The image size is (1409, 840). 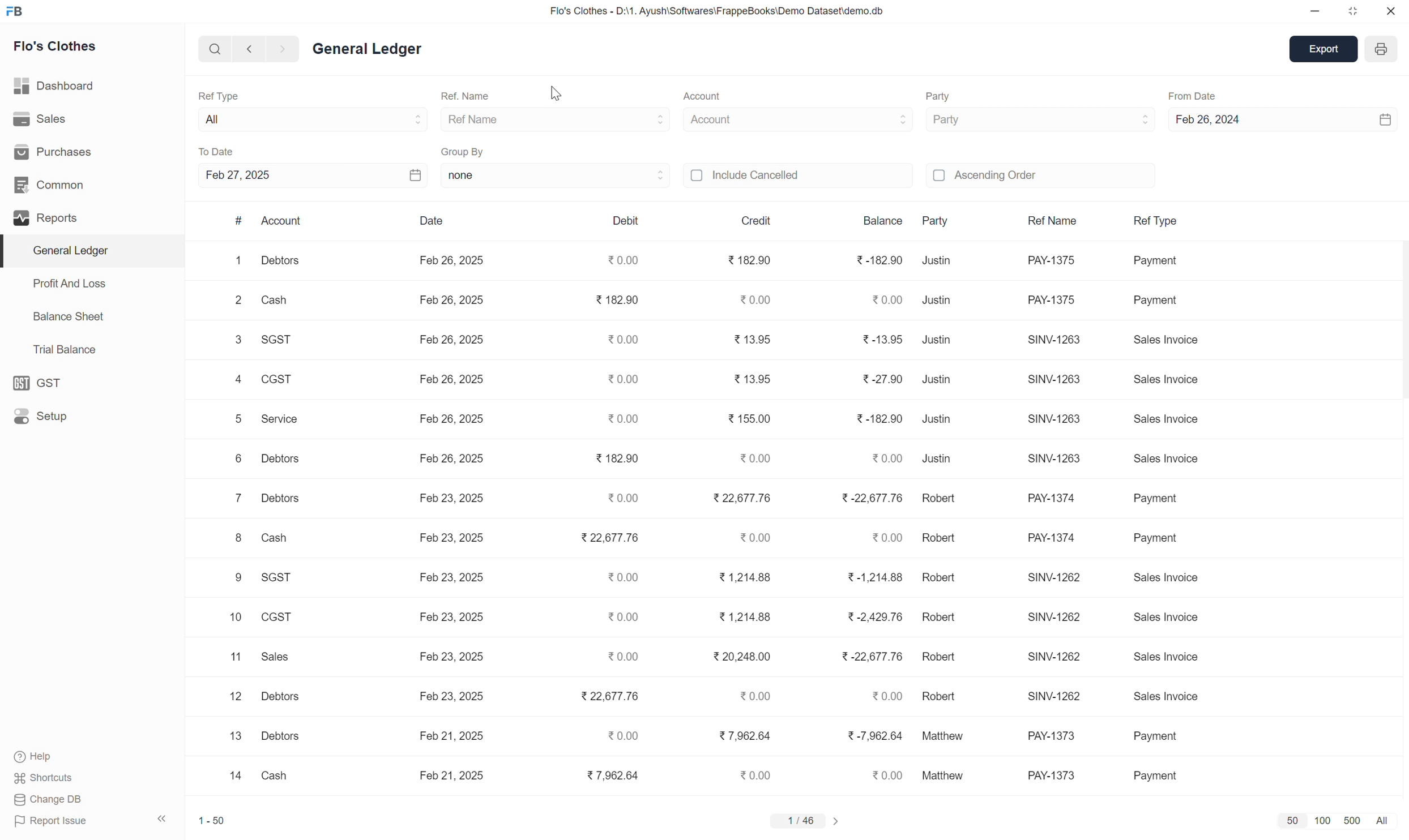 I want to click on 155.00, so click(x=753, y=418).